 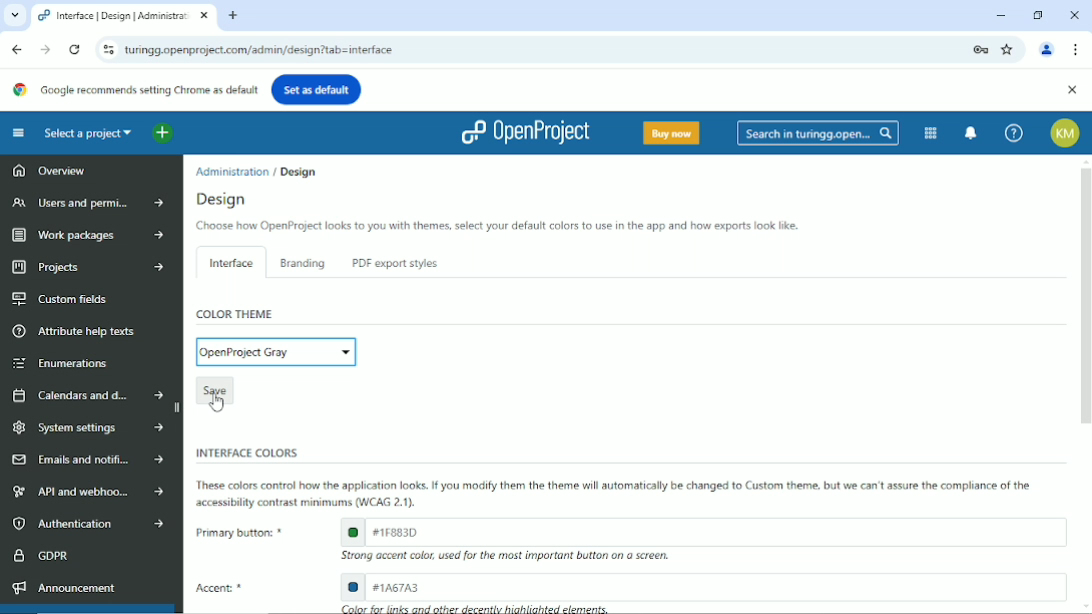 What do you see at coordinates (233, 170) in the screenshot?
I see `Administration` at bounding box center [233, 170].